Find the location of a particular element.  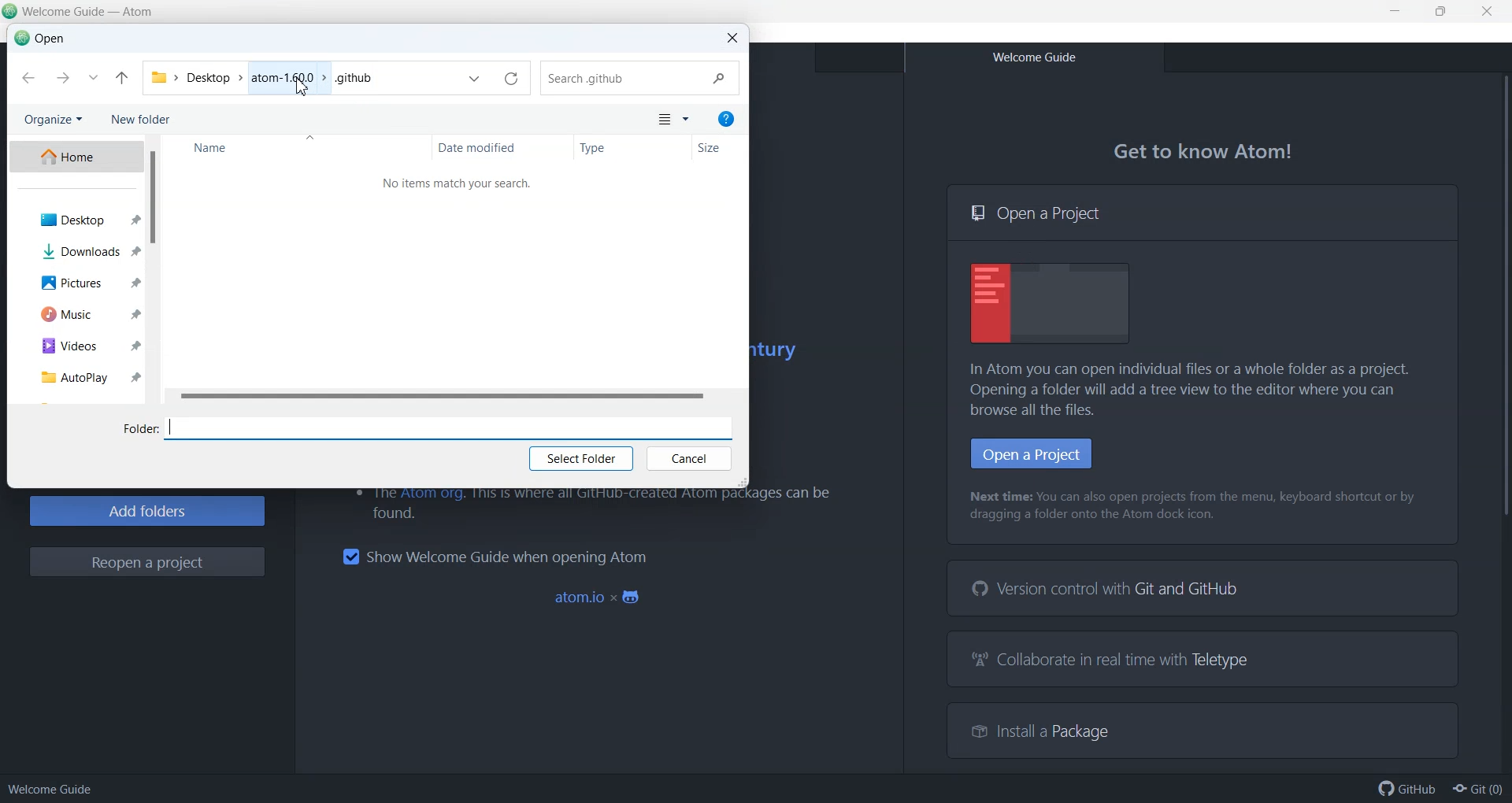

Display is located at coordinates (1051, 303).